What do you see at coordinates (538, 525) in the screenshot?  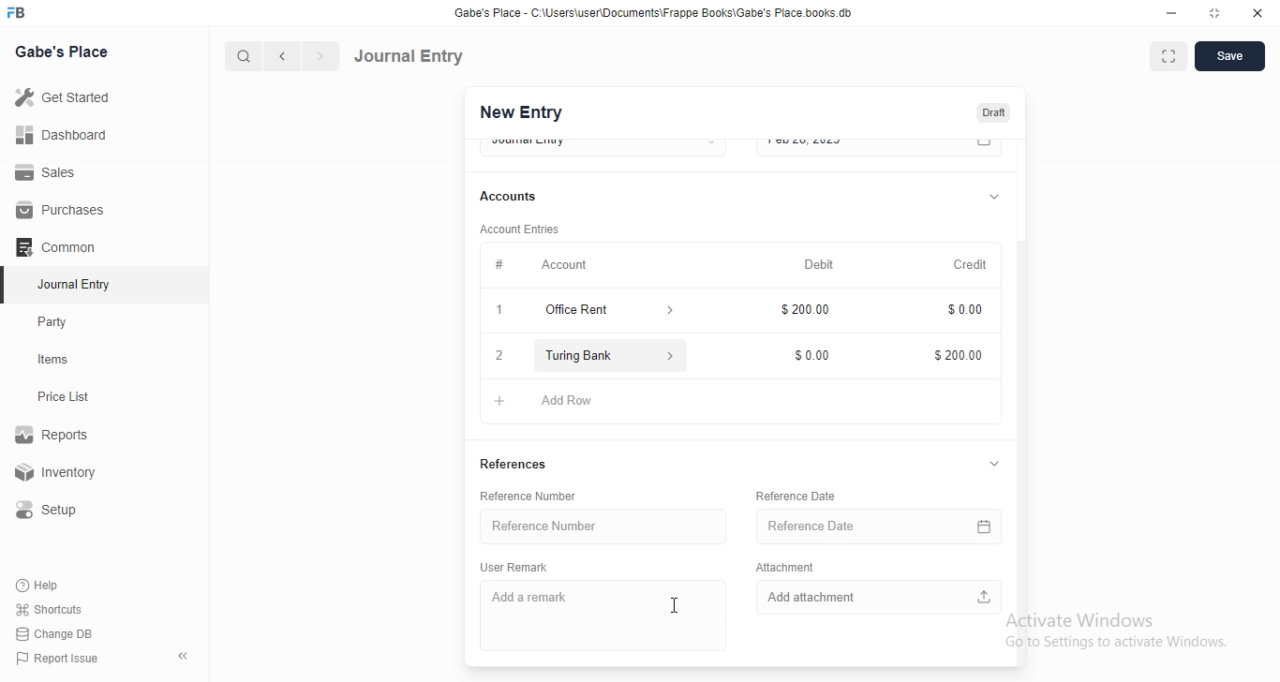 I see `Reference Number` at bounding box center [538, 525].